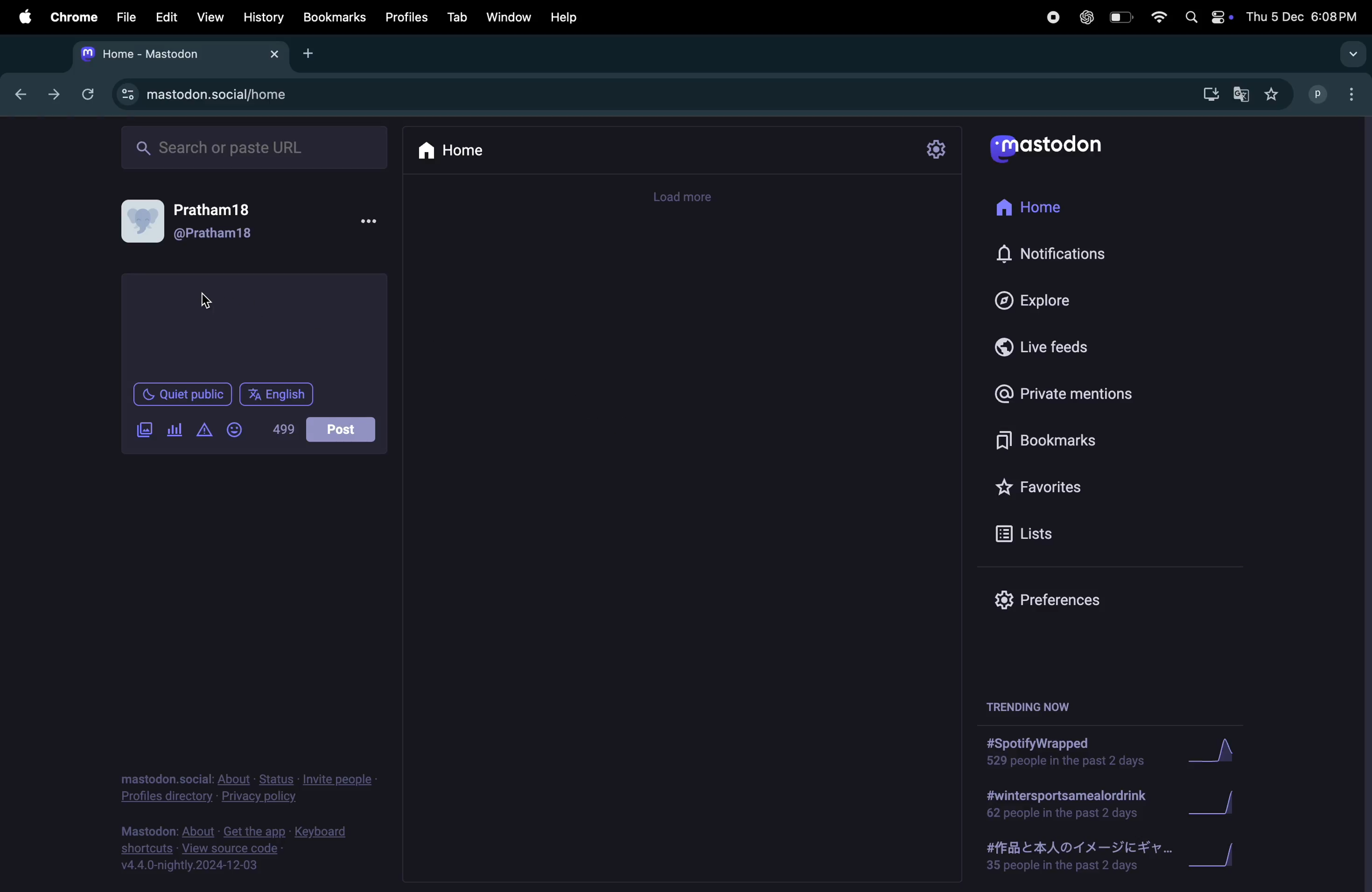 This screenshot has height=892, width=1372. What do you see at coordinates (174, 432) in the screenshot?
I see `poll` at bounding box center [174, 432].